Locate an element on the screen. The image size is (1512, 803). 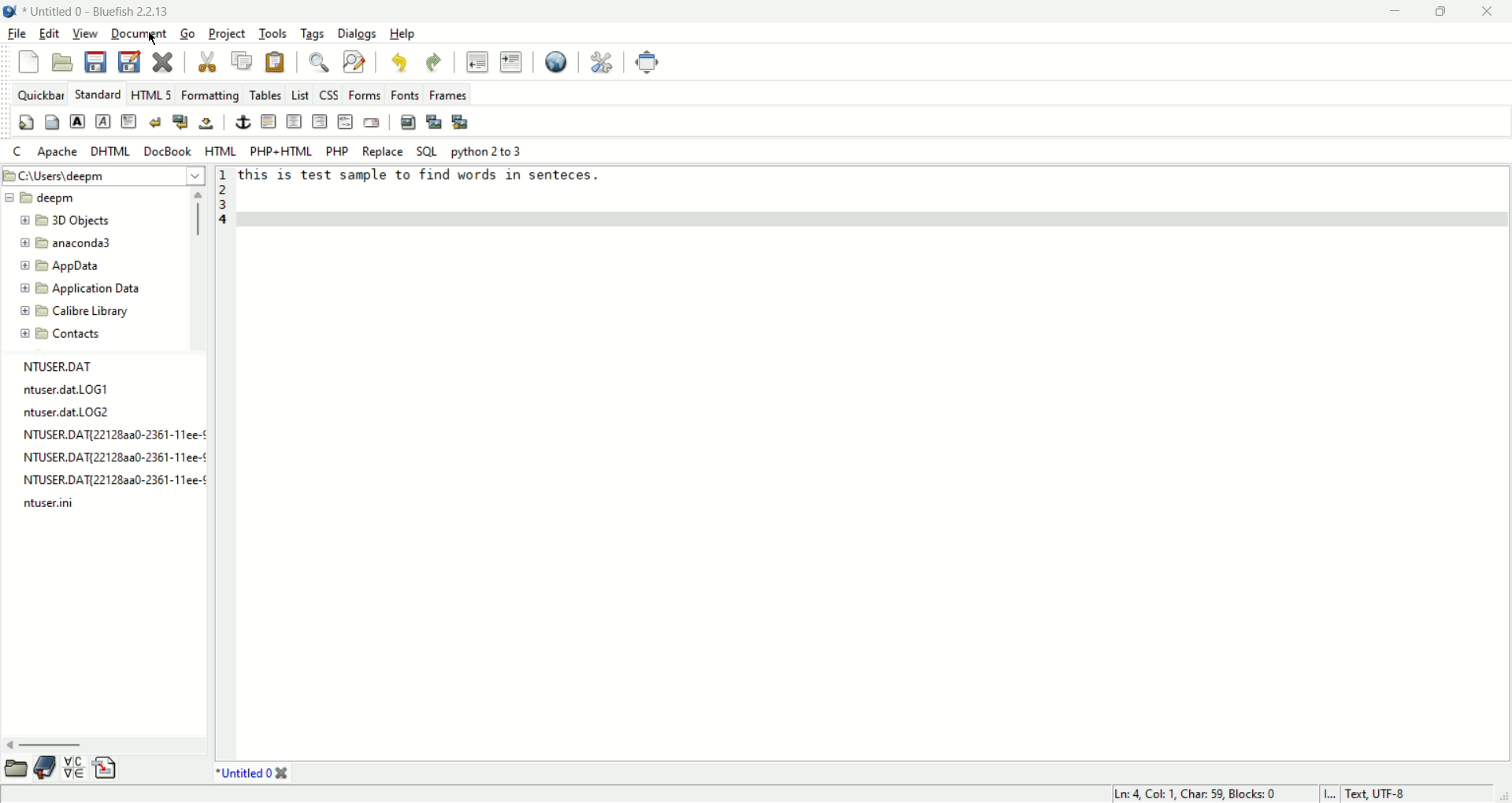
DocBook is located at coordinates (169, 151).